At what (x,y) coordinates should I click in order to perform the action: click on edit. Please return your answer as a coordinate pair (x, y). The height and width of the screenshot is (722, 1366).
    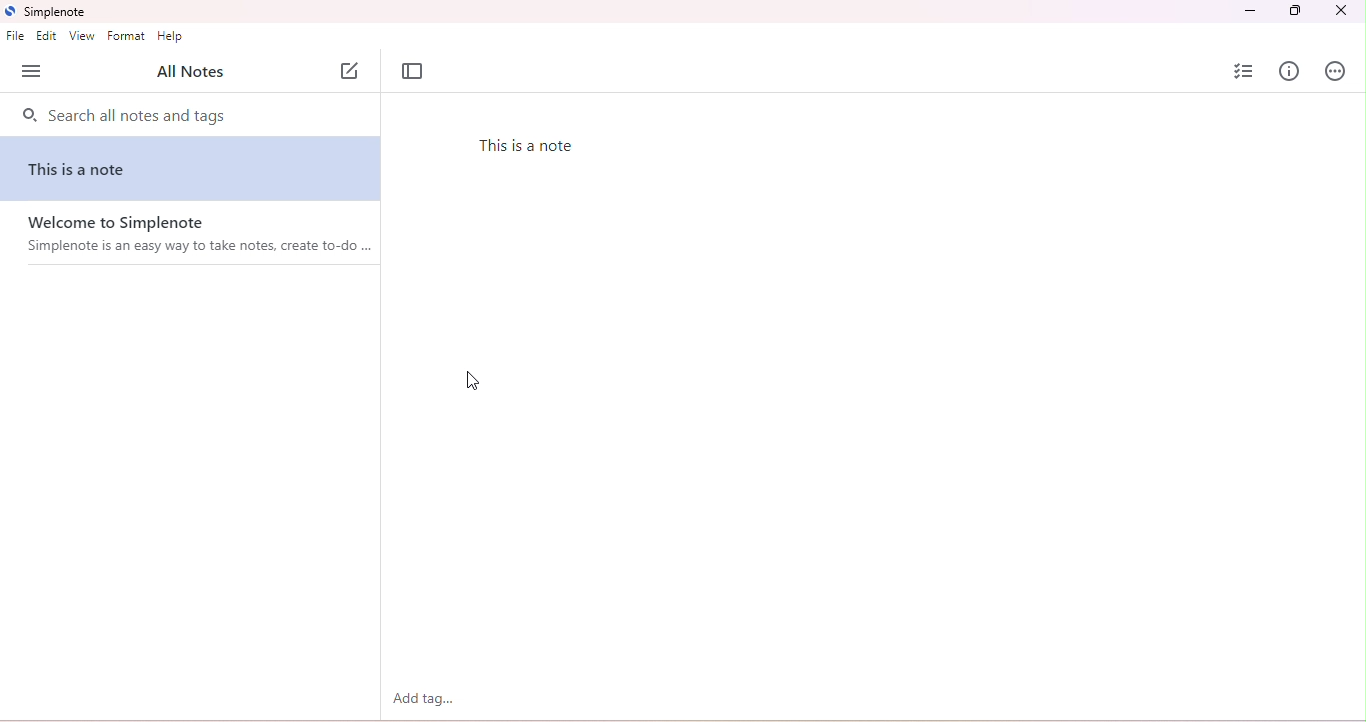
    Looking at the image, I should click on (46, 36).